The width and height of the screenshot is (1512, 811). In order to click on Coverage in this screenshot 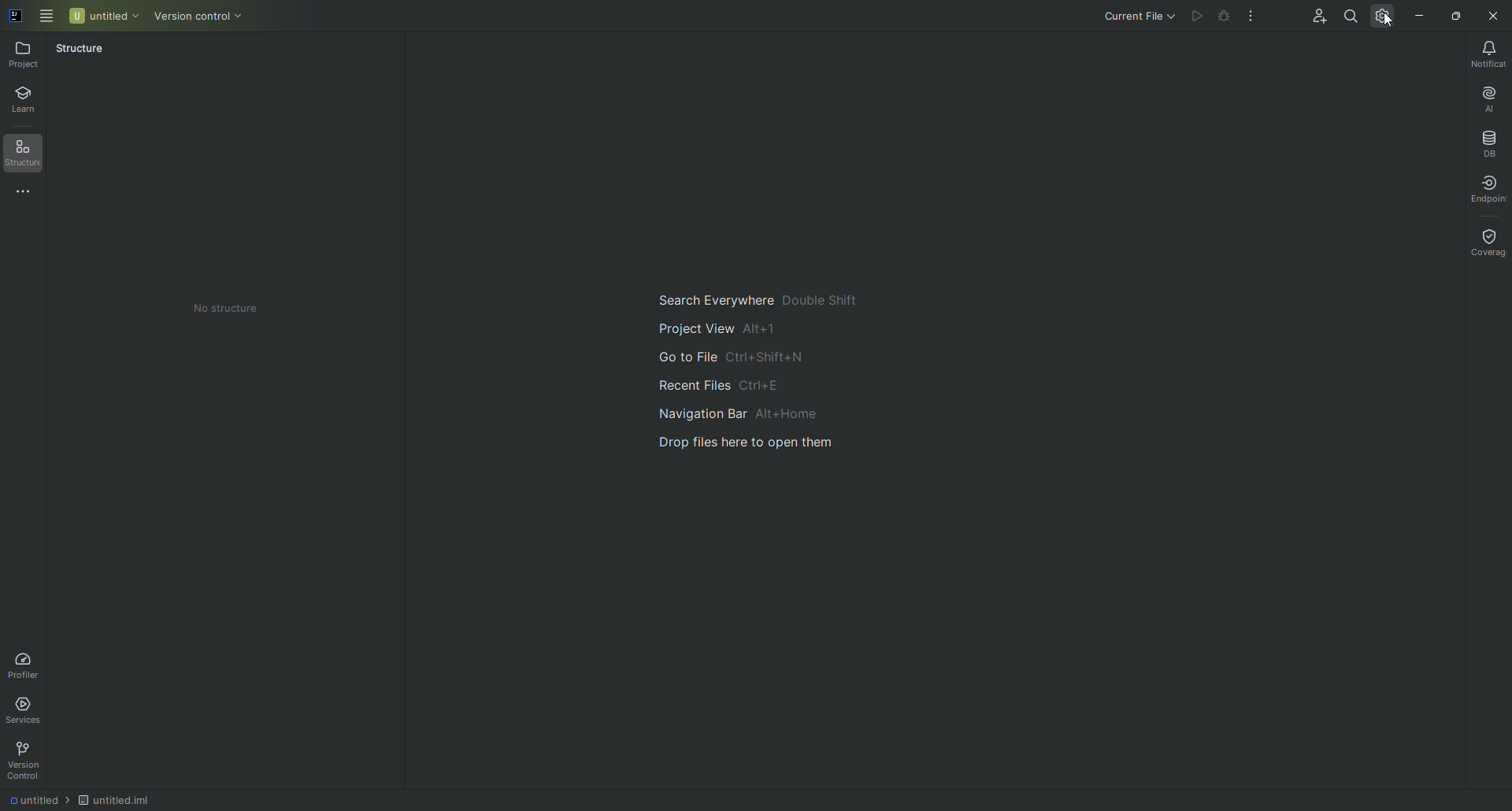, I will do `click(1488, 242)`.